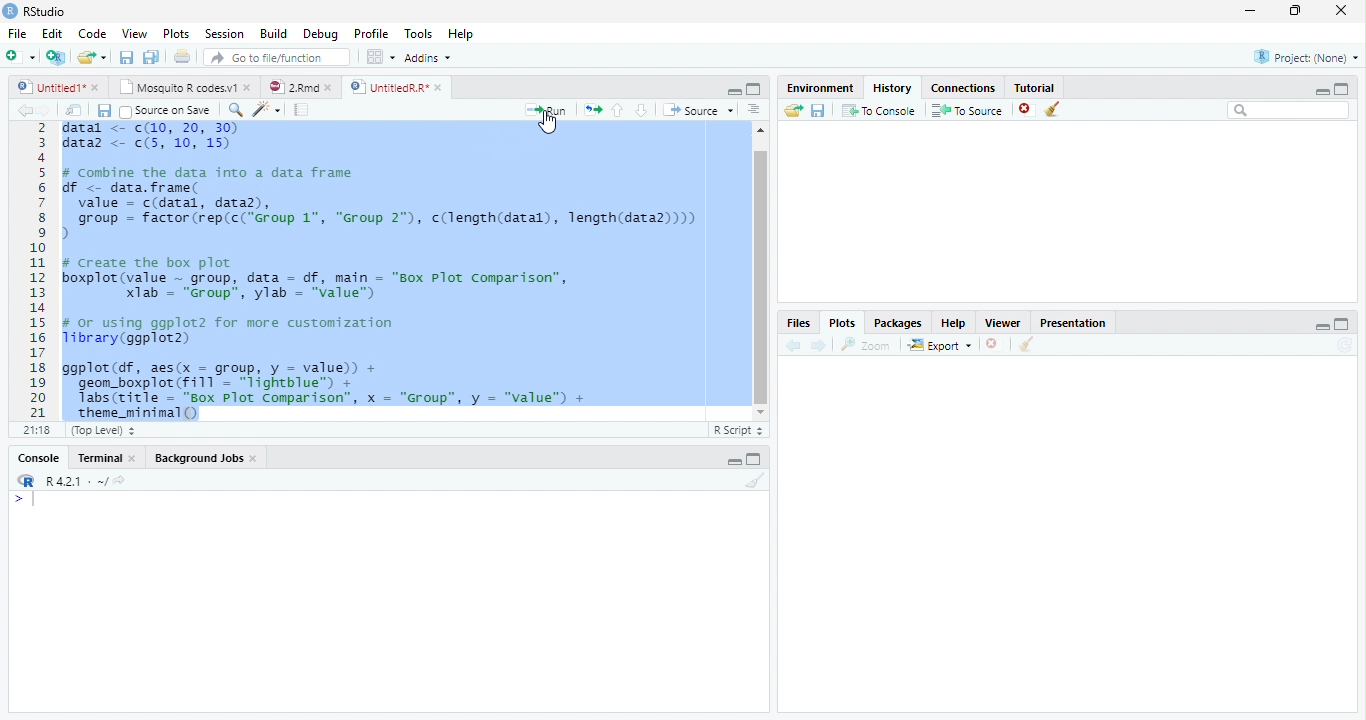  Describe the element at coordinates (49, 87) in the screenshot. I see `Untitled1*` at that location.